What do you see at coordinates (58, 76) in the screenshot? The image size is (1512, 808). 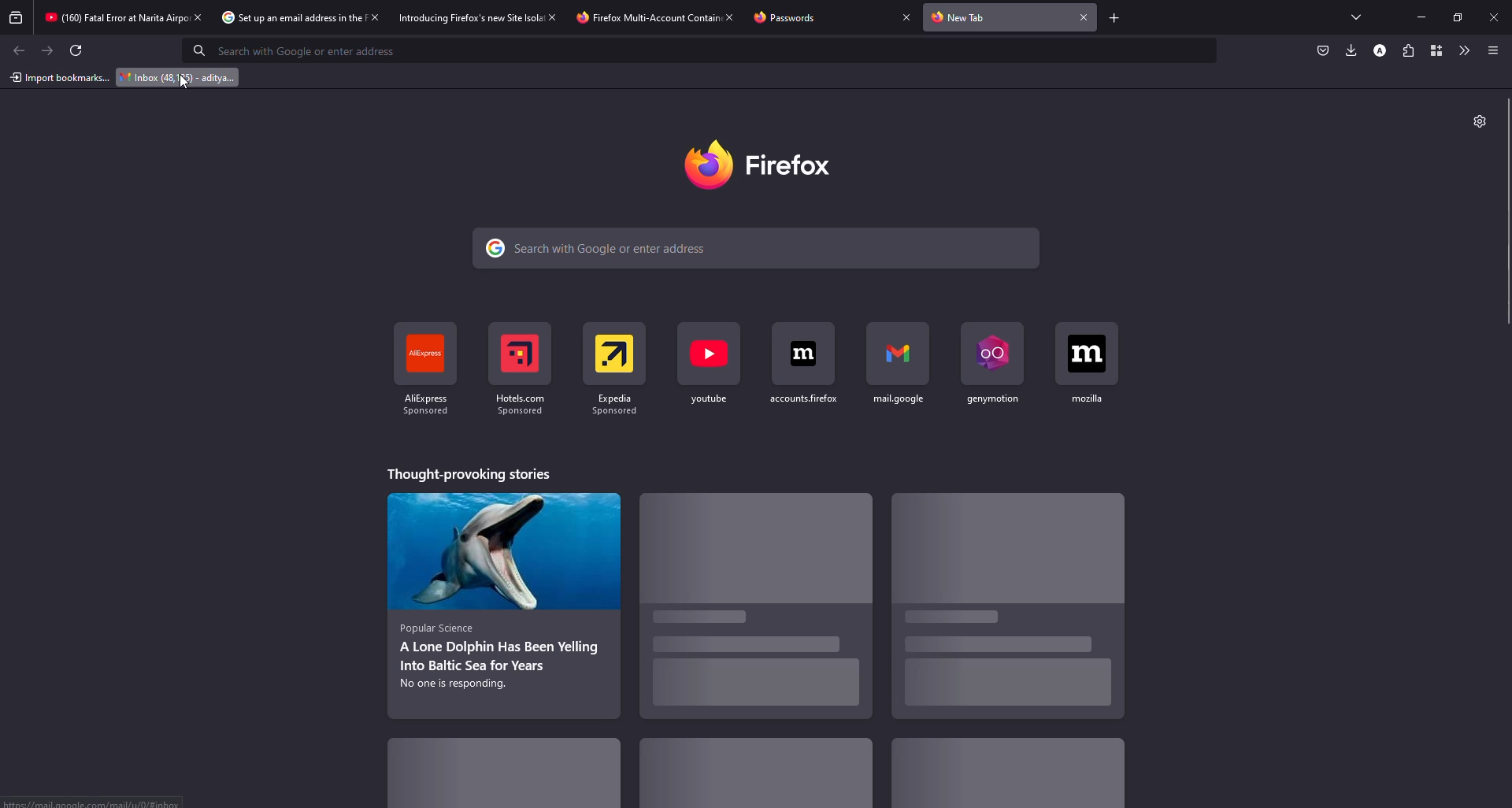 I see `import bookmarks` at bounding box center [58, 76].